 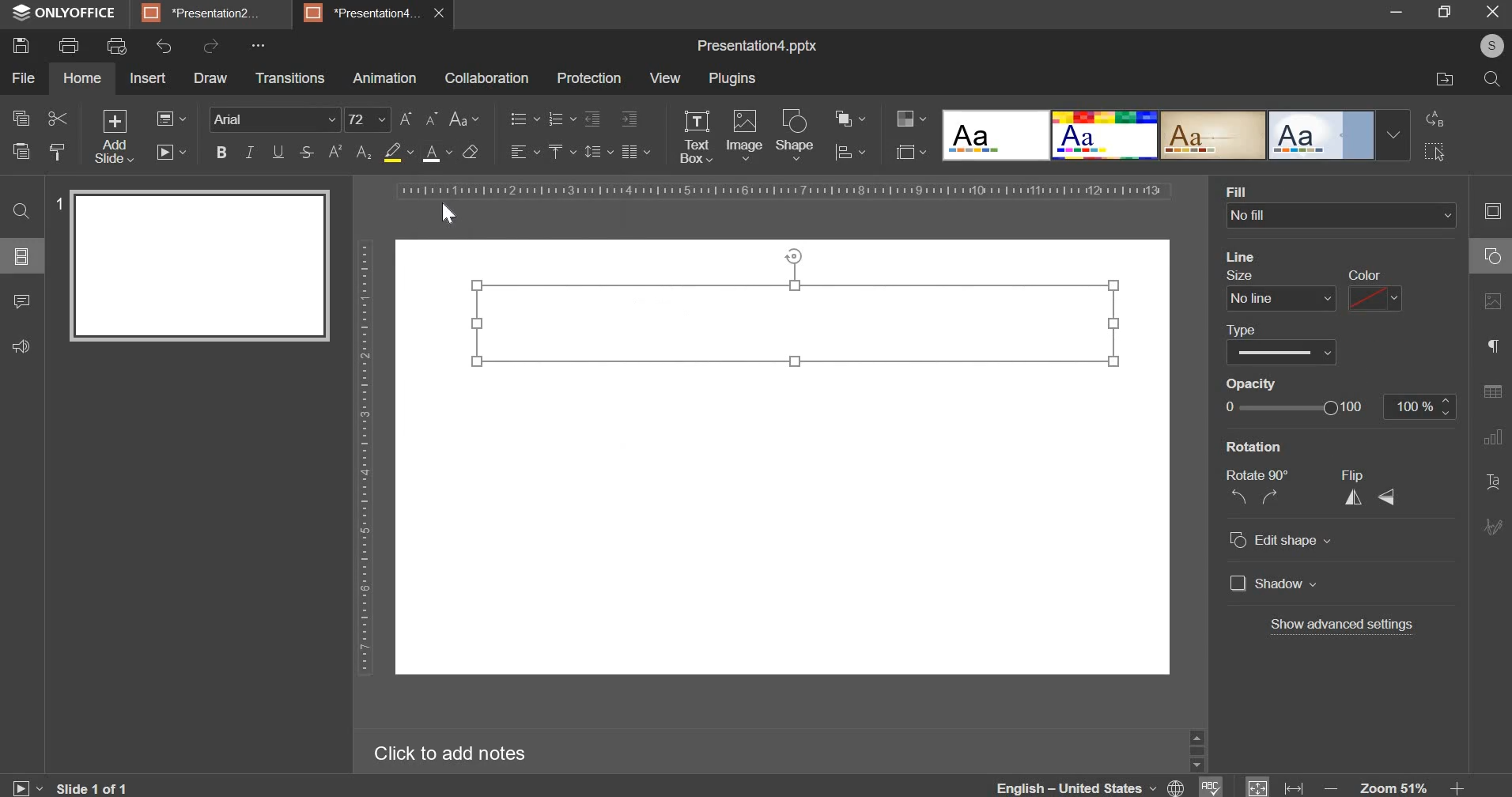 What do you see at coordinates (275, 119) in the screenshot?
I see `font` at bounding box center [275, 119].